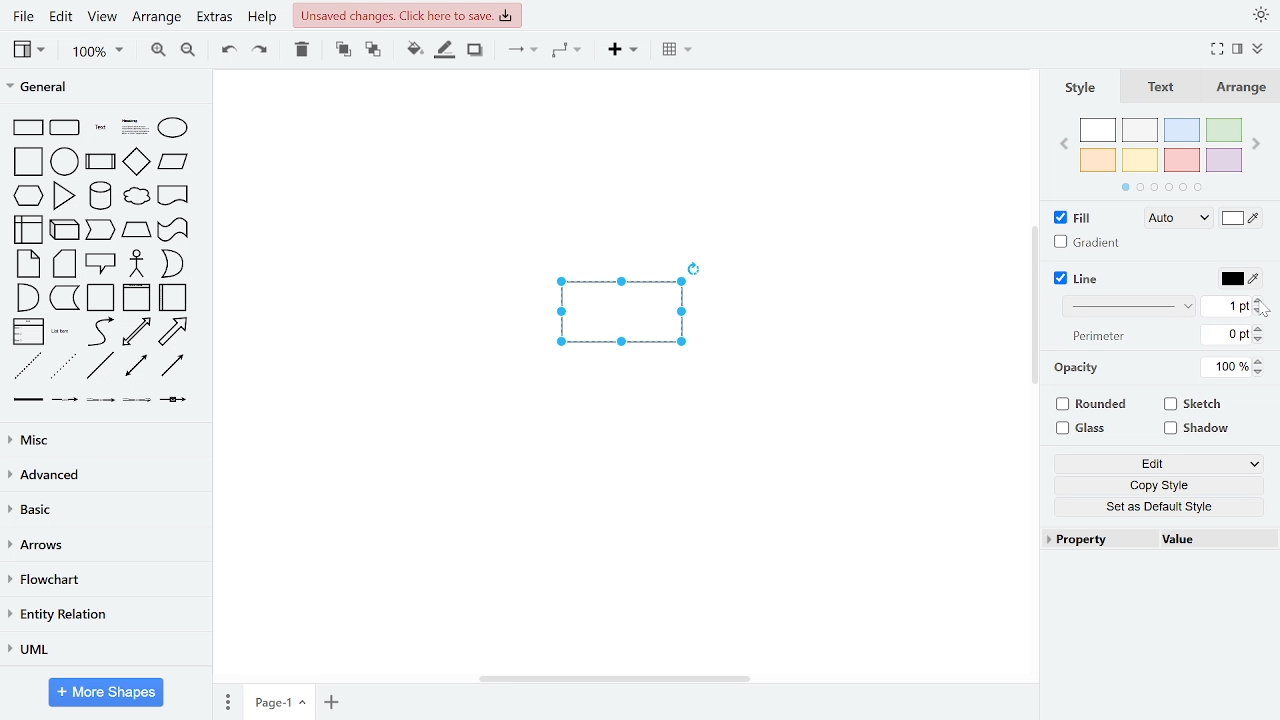  What do you see at coordinates (1074, 218) in the screenshot?
I see `fill` at bounding box center [1074, 218].